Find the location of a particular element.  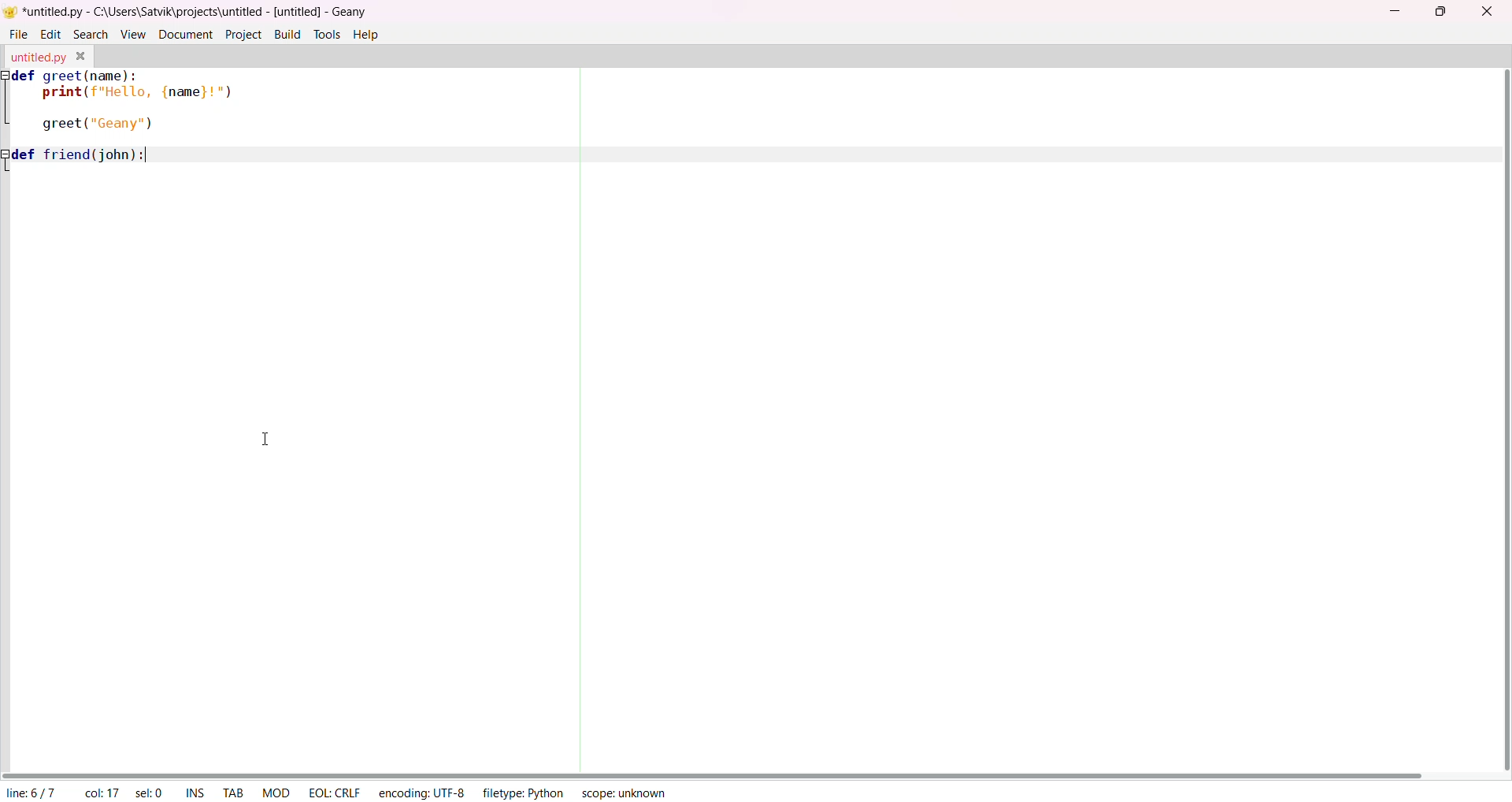

indentation is located at coordinates (10, 106).